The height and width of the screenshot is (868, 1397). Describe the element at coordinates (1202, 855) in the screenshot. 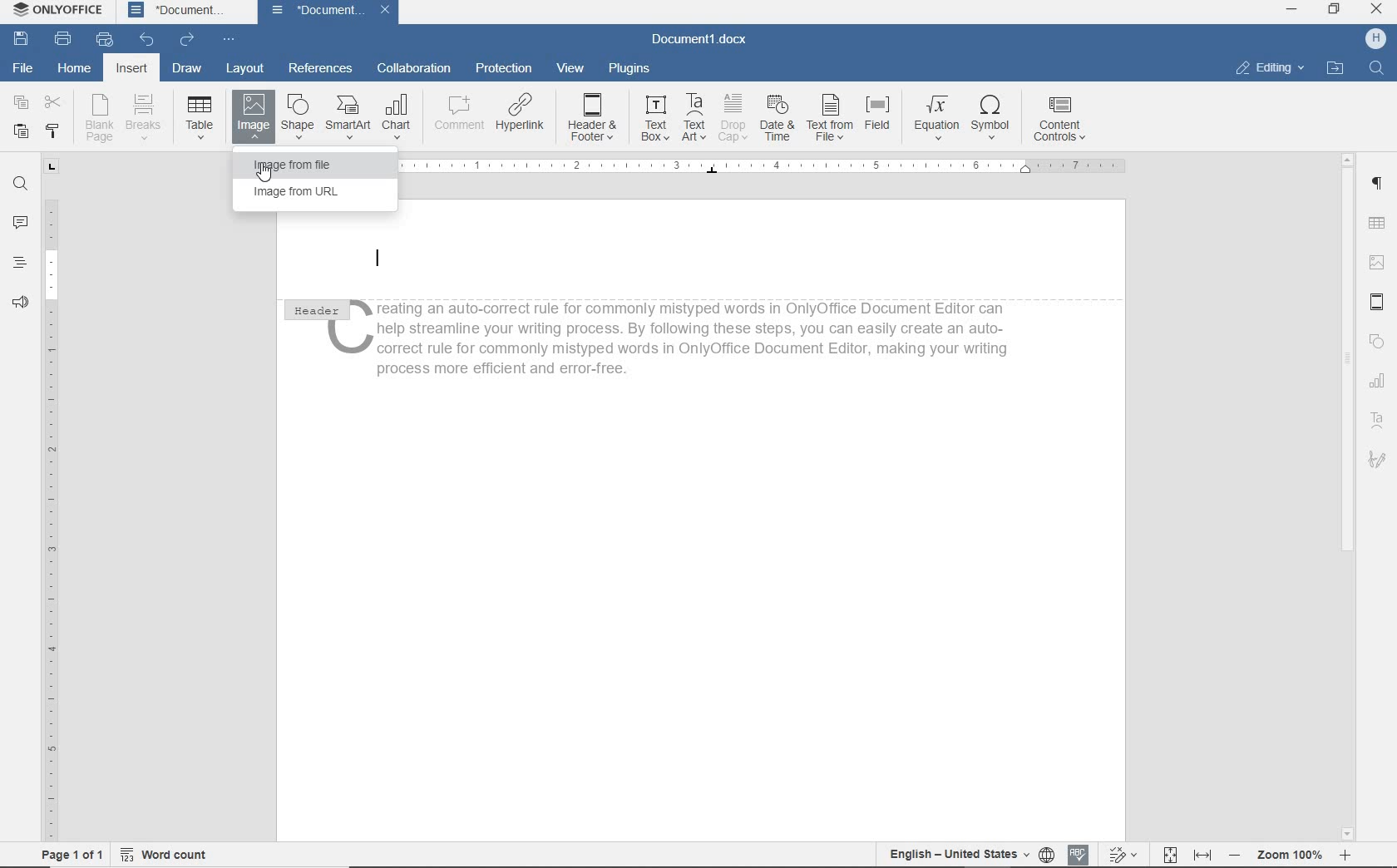

I see `FIT TO WIDTH` at that location.